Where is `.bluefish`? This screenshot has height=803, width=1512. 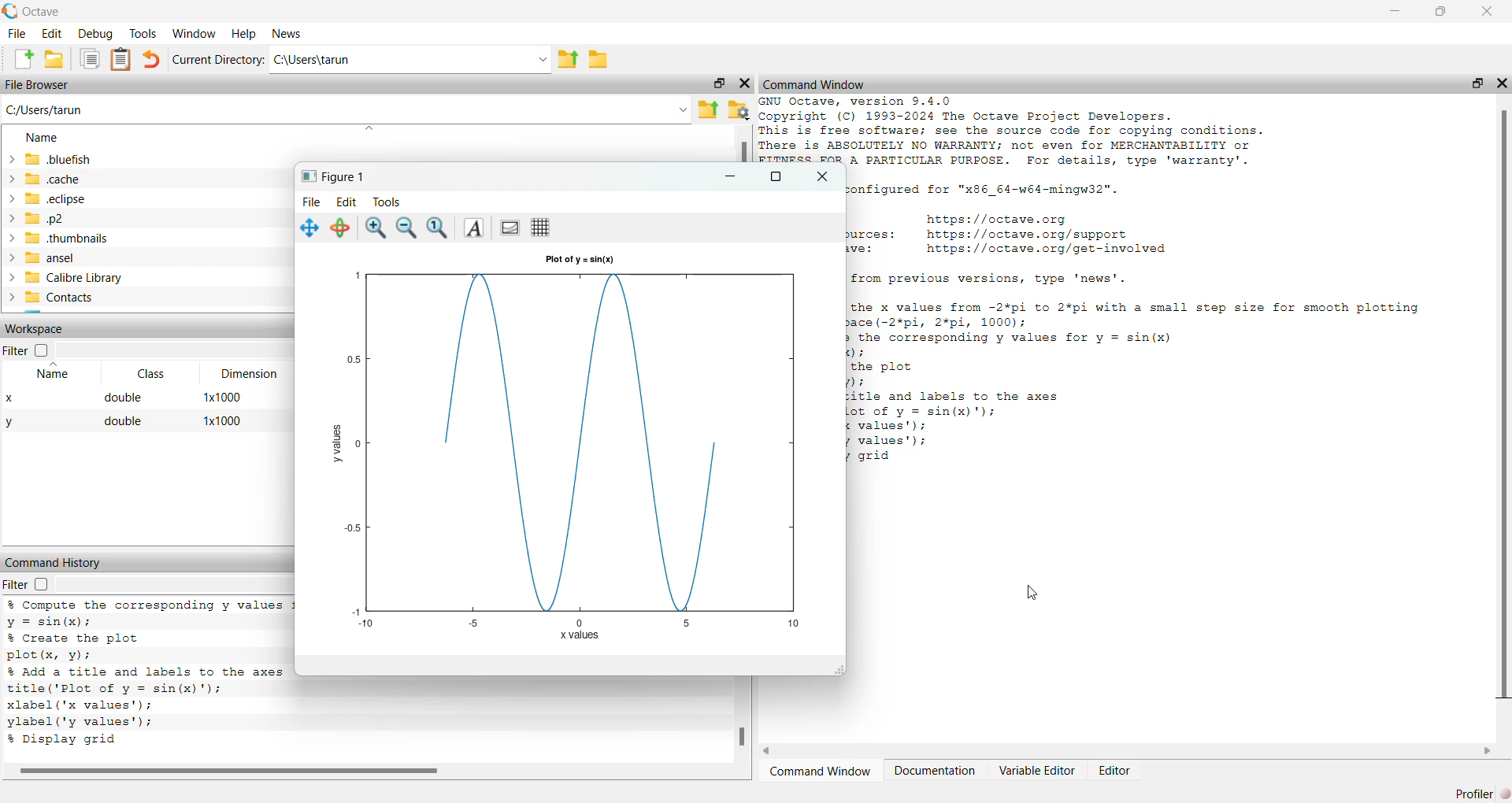
.bluefish is located at coordinates (55, 159).